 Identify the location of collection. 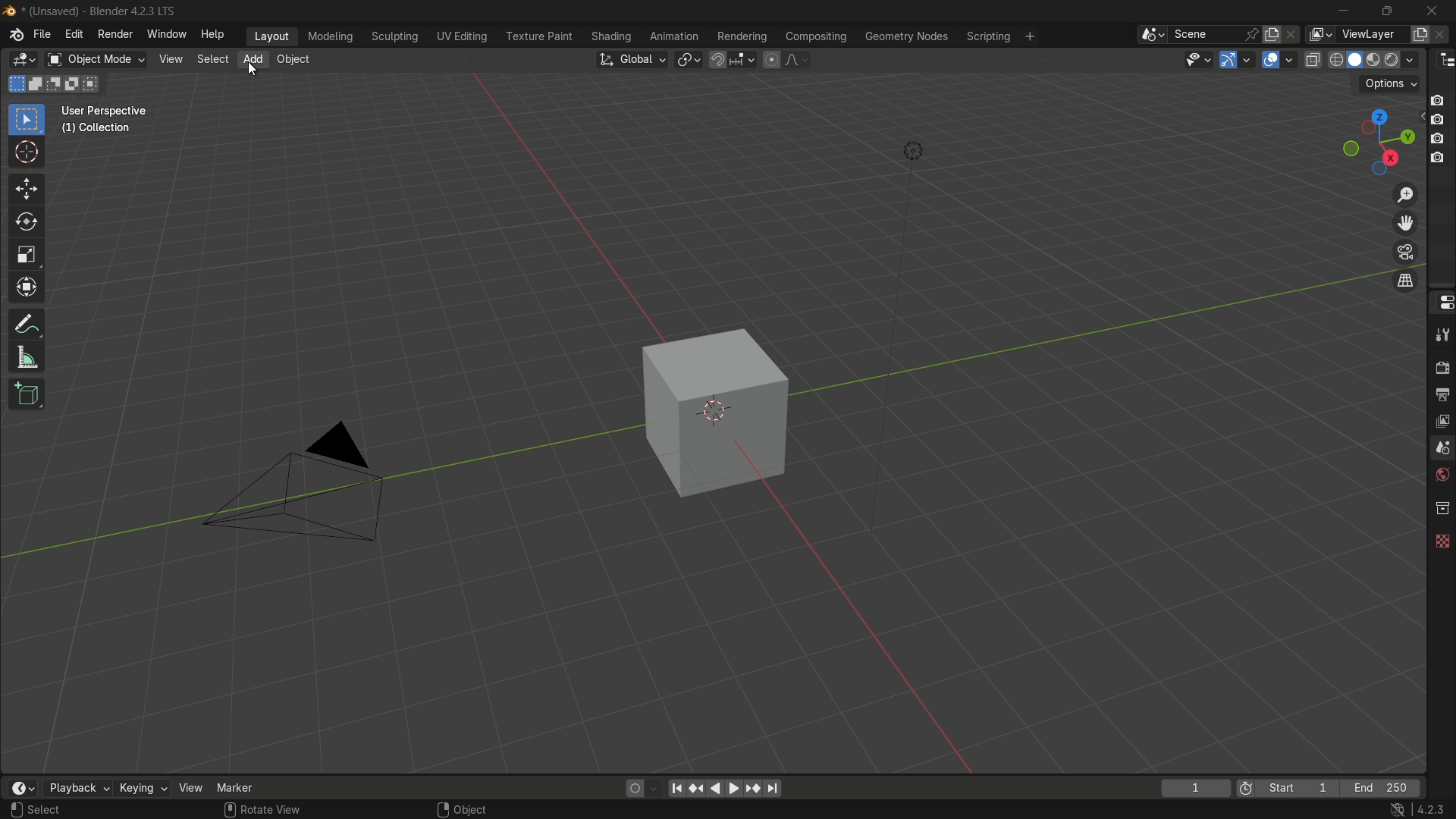
(1439, 508).